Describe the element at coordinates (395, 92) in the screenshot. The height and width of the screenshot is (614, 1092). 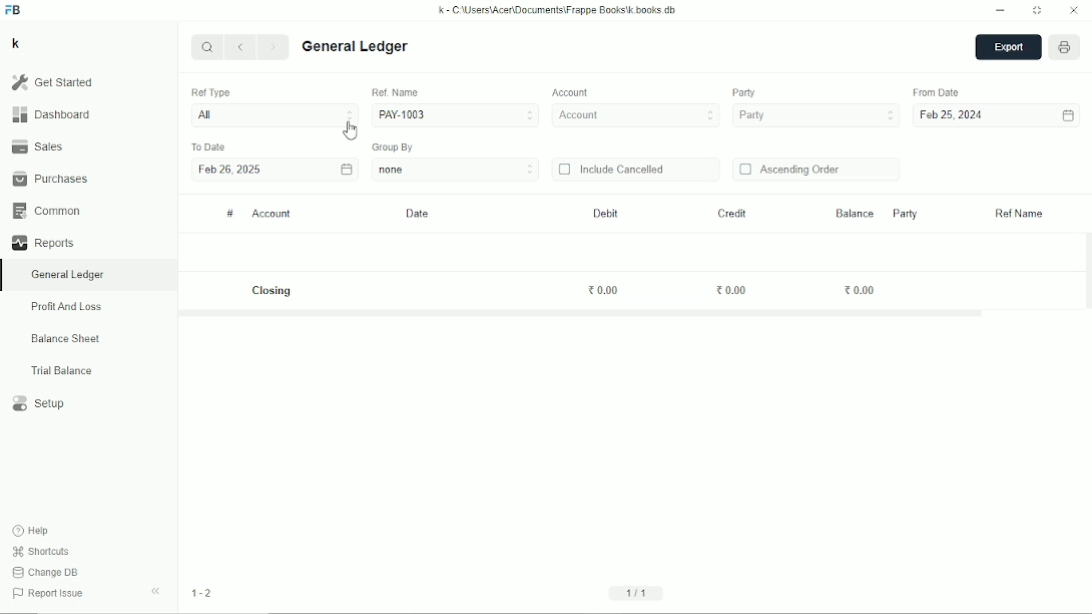
I see `Ref. Name` at that location.